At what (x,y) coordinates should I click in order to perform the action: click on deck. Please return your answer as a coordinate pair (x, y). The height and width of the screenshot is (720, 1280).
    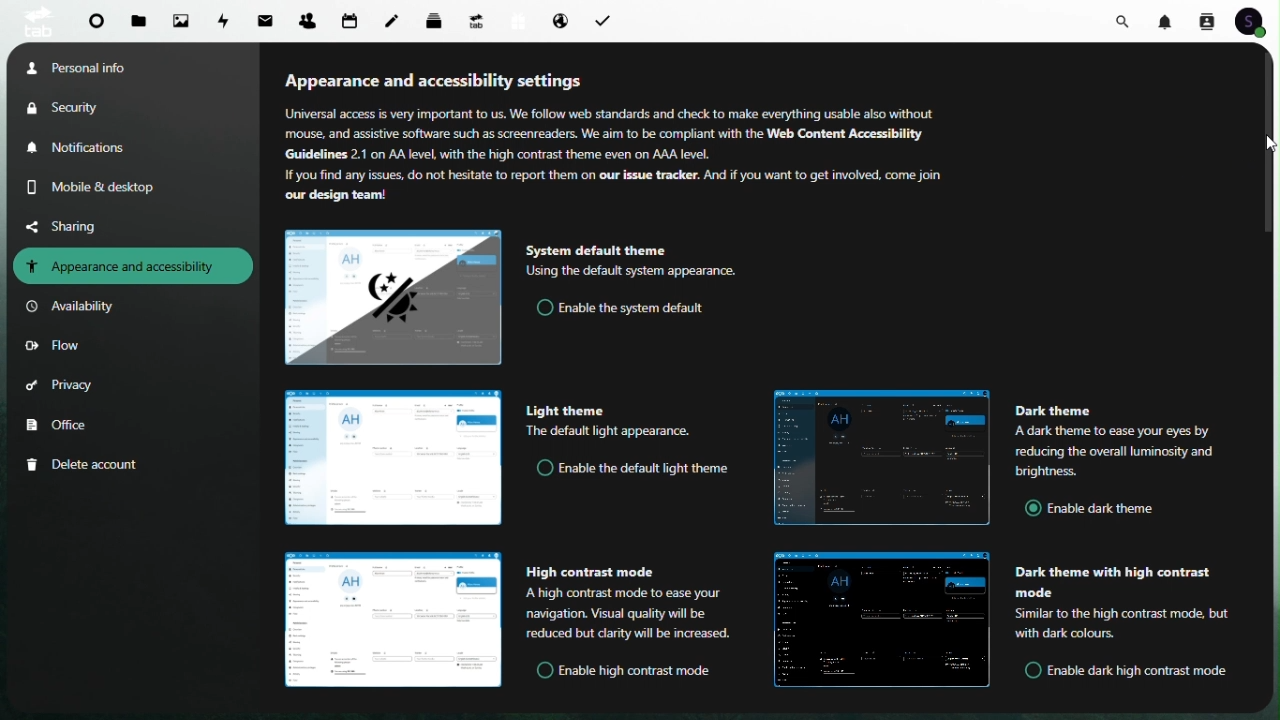
    Looking at the image, I should click on (438, 19).